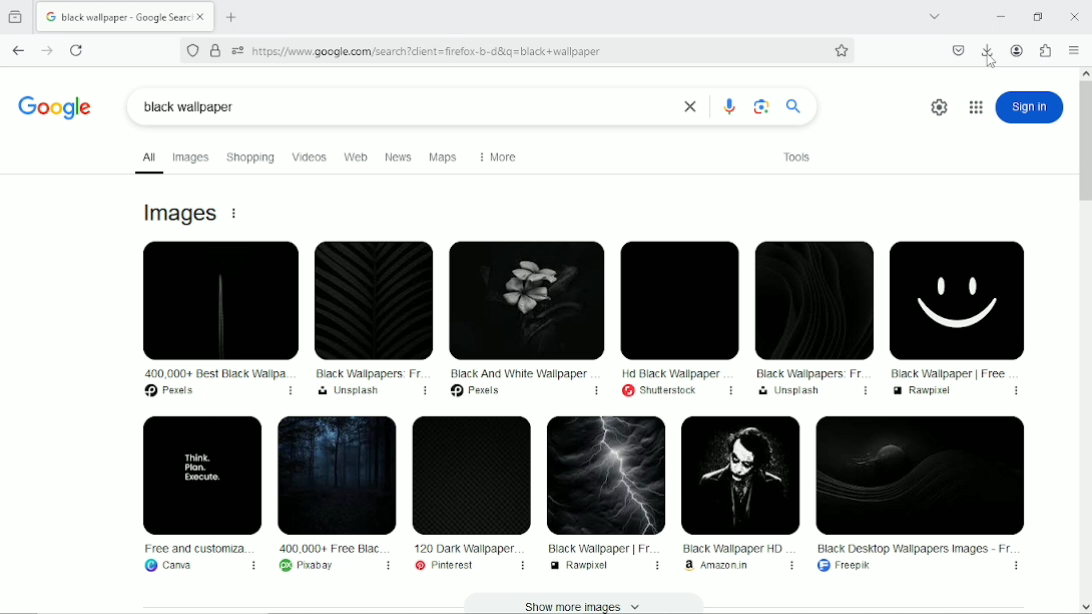 Image resolution: width=1092 pixels, height=614 pixels. I want to click on Verified by Google Trust Services, so click(215, 51).